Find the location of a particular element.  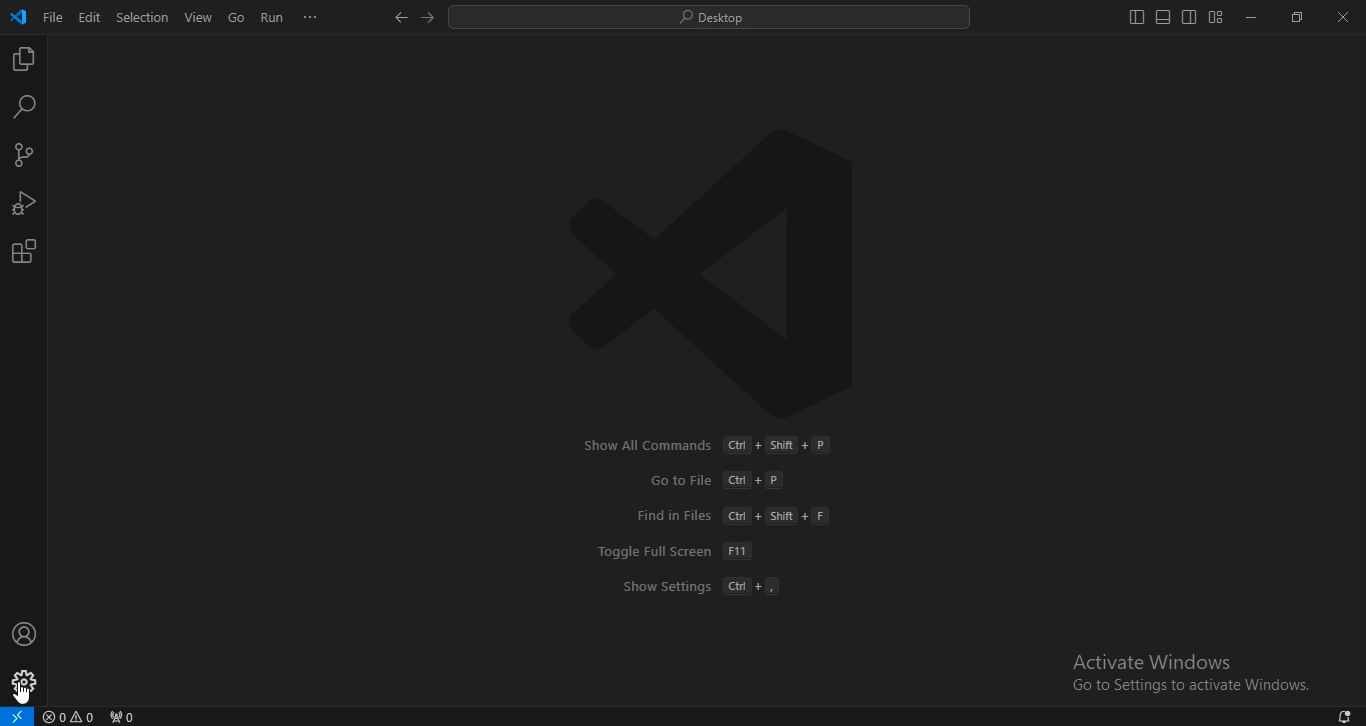

toggle panel is located at coordinates (1162, 17).